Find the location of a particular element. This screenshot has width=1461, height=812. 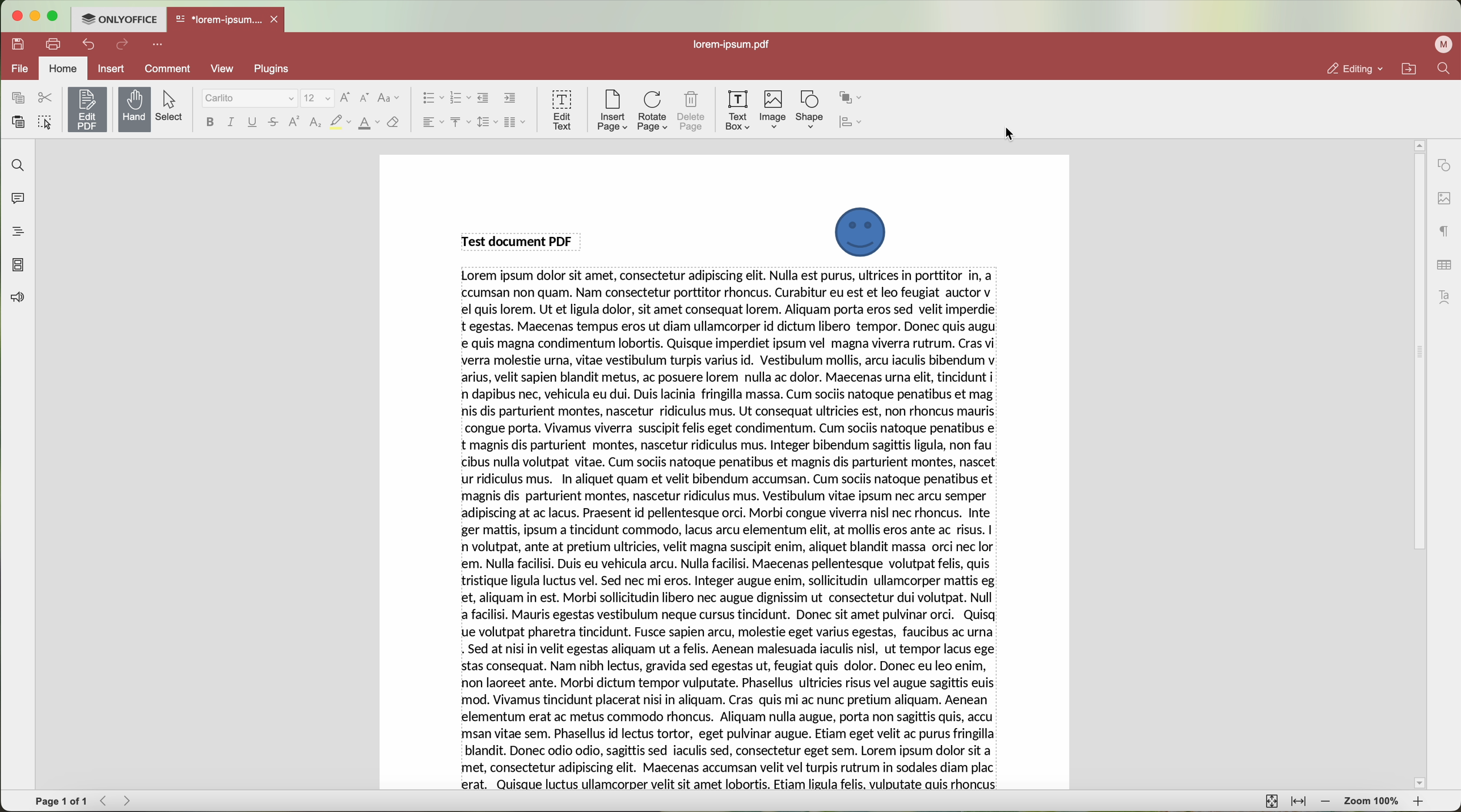

copy is located at coordinates (15, 97).